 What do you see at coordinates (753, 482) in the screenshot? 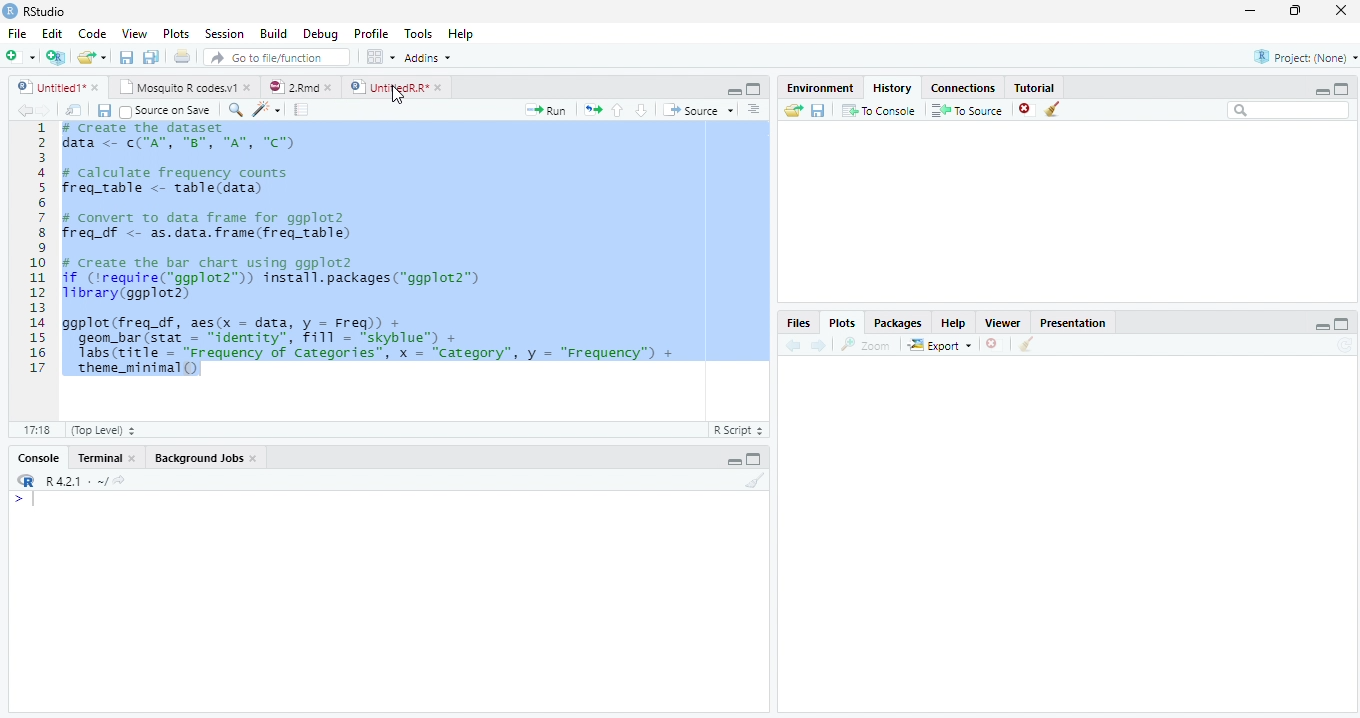
I see `Clear Console` at bounding box center [753, 482].